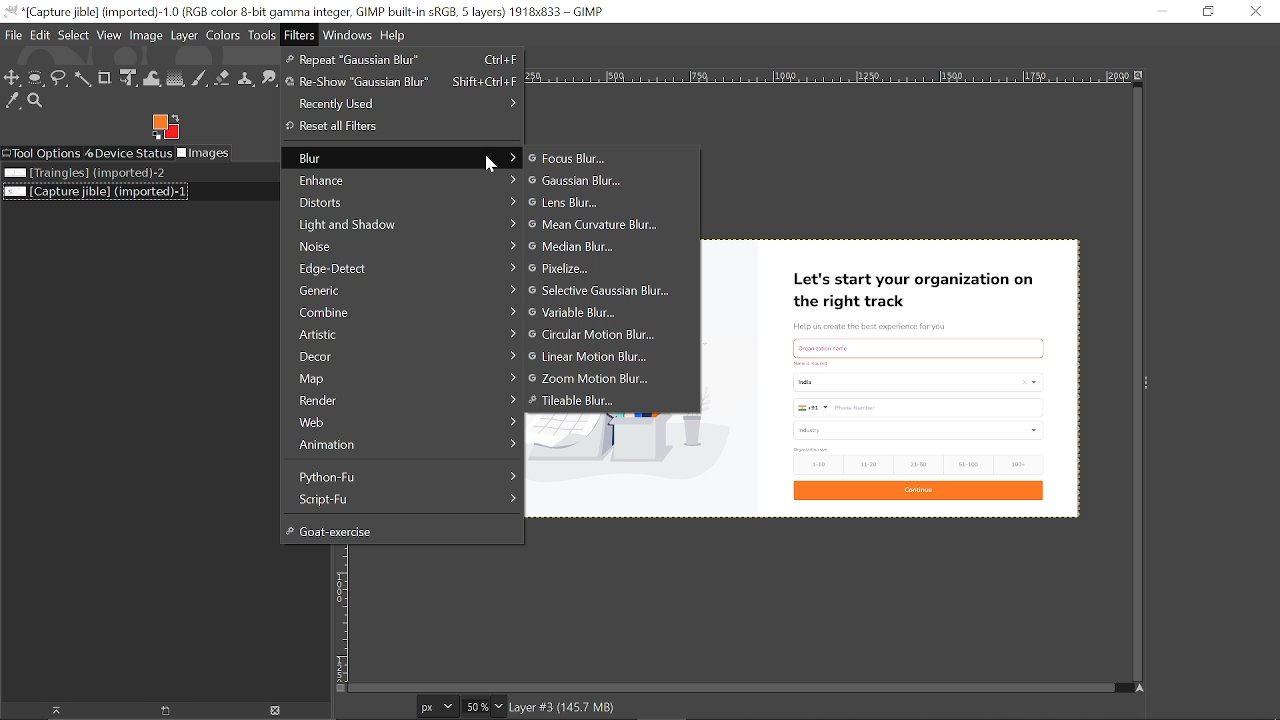 Image resolution: width=1280 pixels, height=720 pixels. I want to click on Restore down, so click(1205, 11).